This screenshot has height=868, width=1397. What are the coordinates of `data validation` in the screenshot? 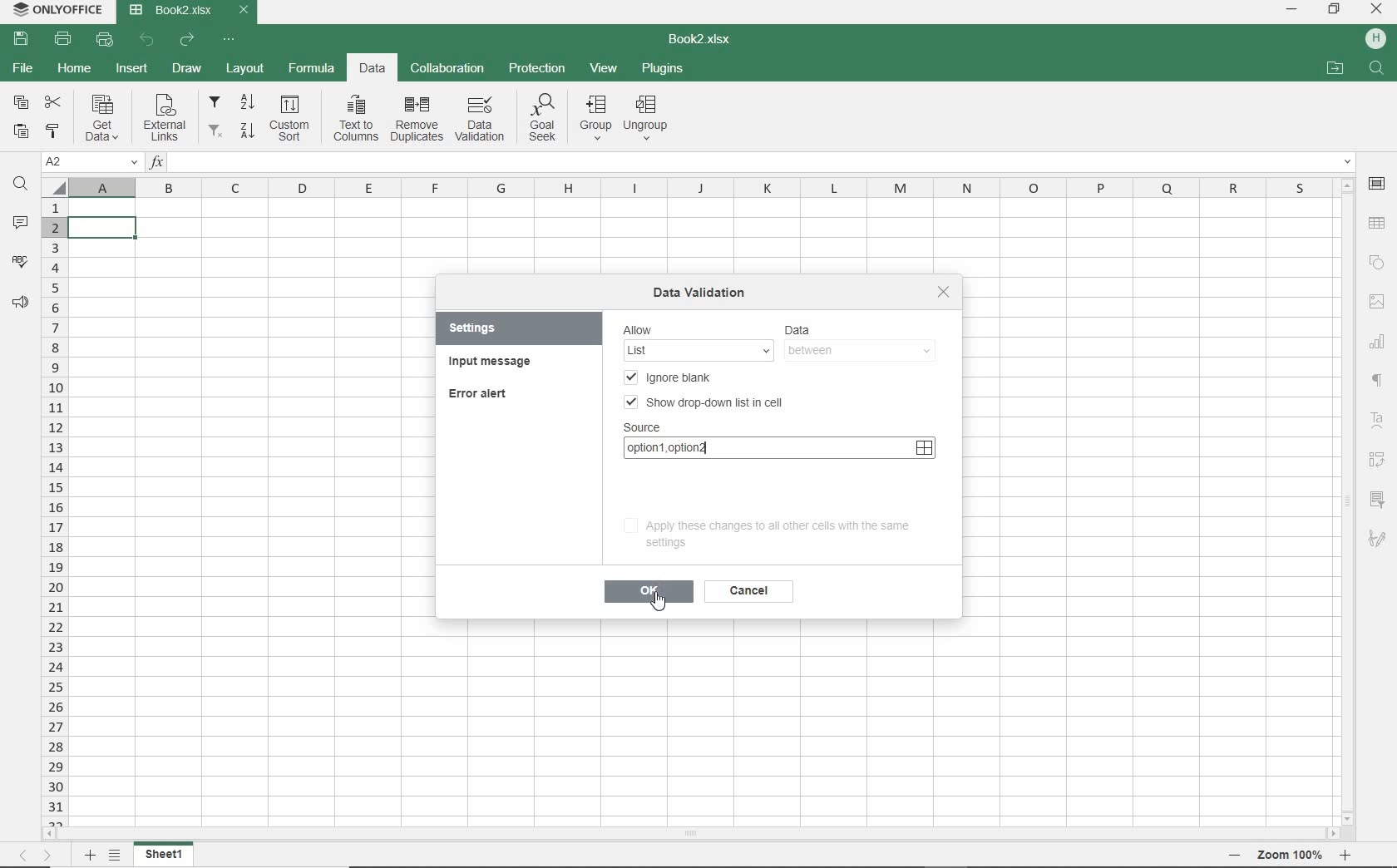 It's located at (480, 117).